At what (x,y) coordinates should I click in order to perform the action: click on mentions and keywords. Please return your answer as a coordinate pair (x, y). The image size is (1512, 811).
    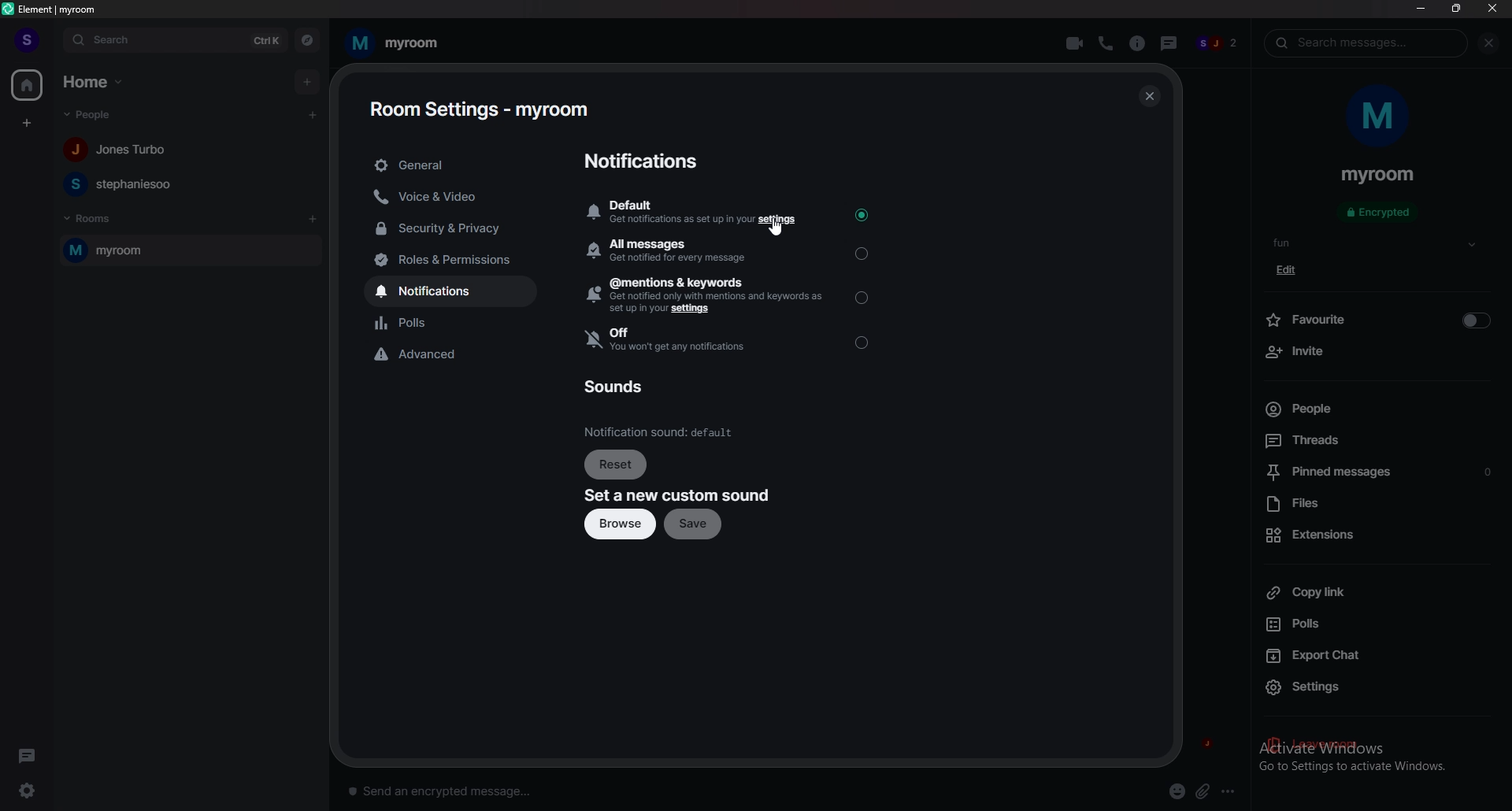
    Looking at the image, I should click on (731, 294).